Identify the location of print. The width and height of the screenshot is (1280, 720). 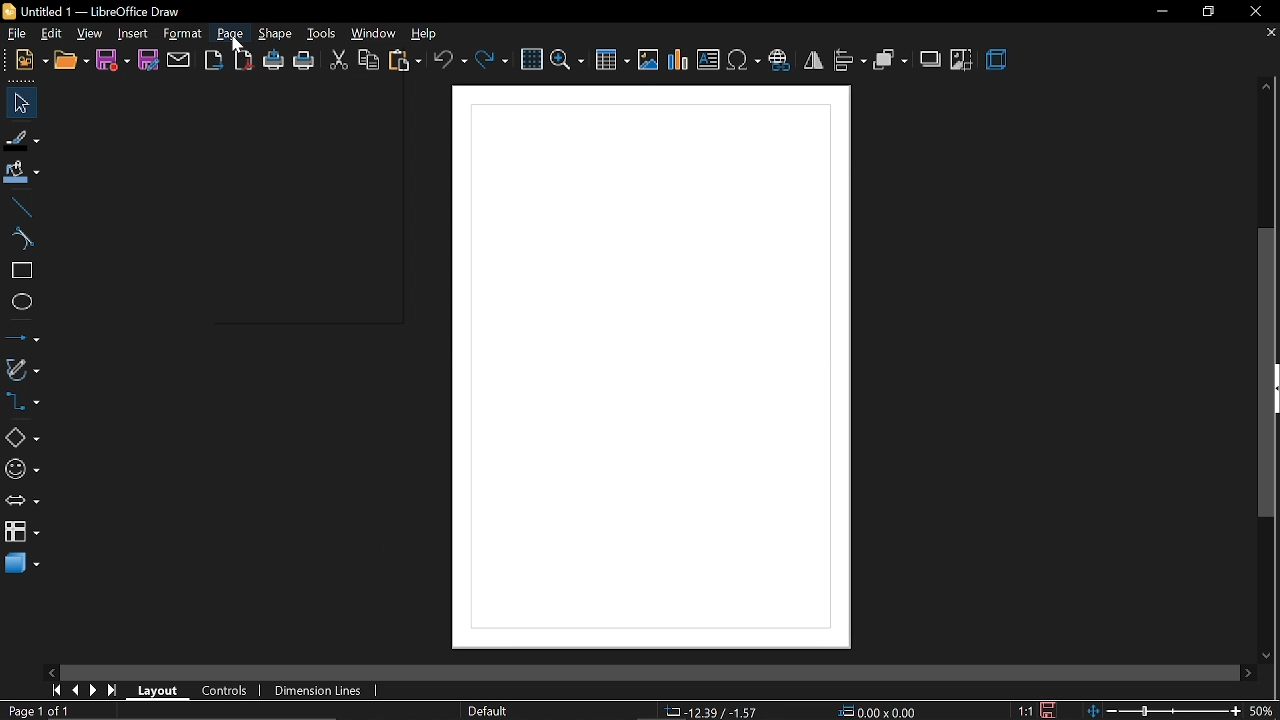
(304, 63).